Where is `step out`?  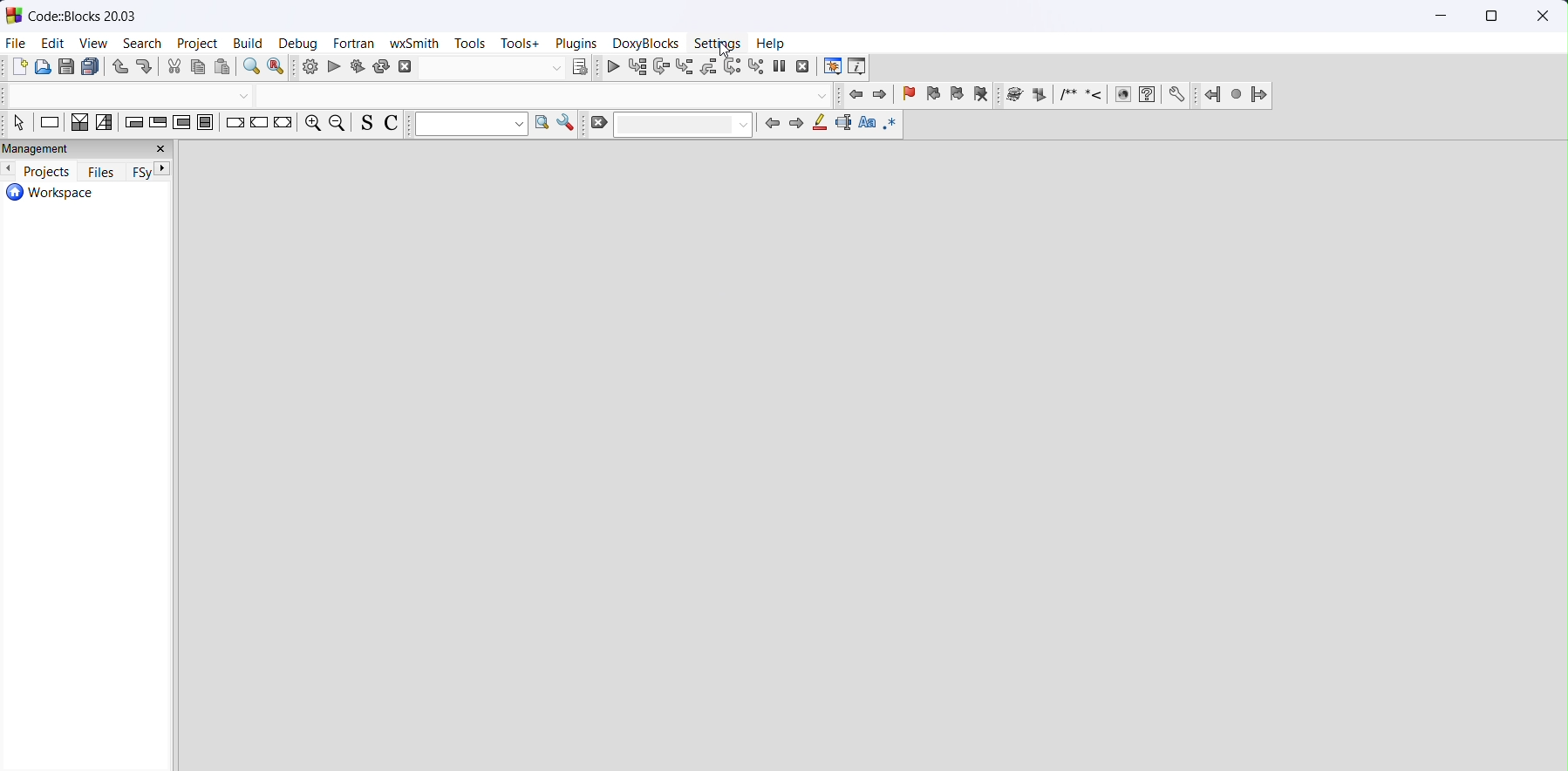 step out is located at coordinates (709, 67).